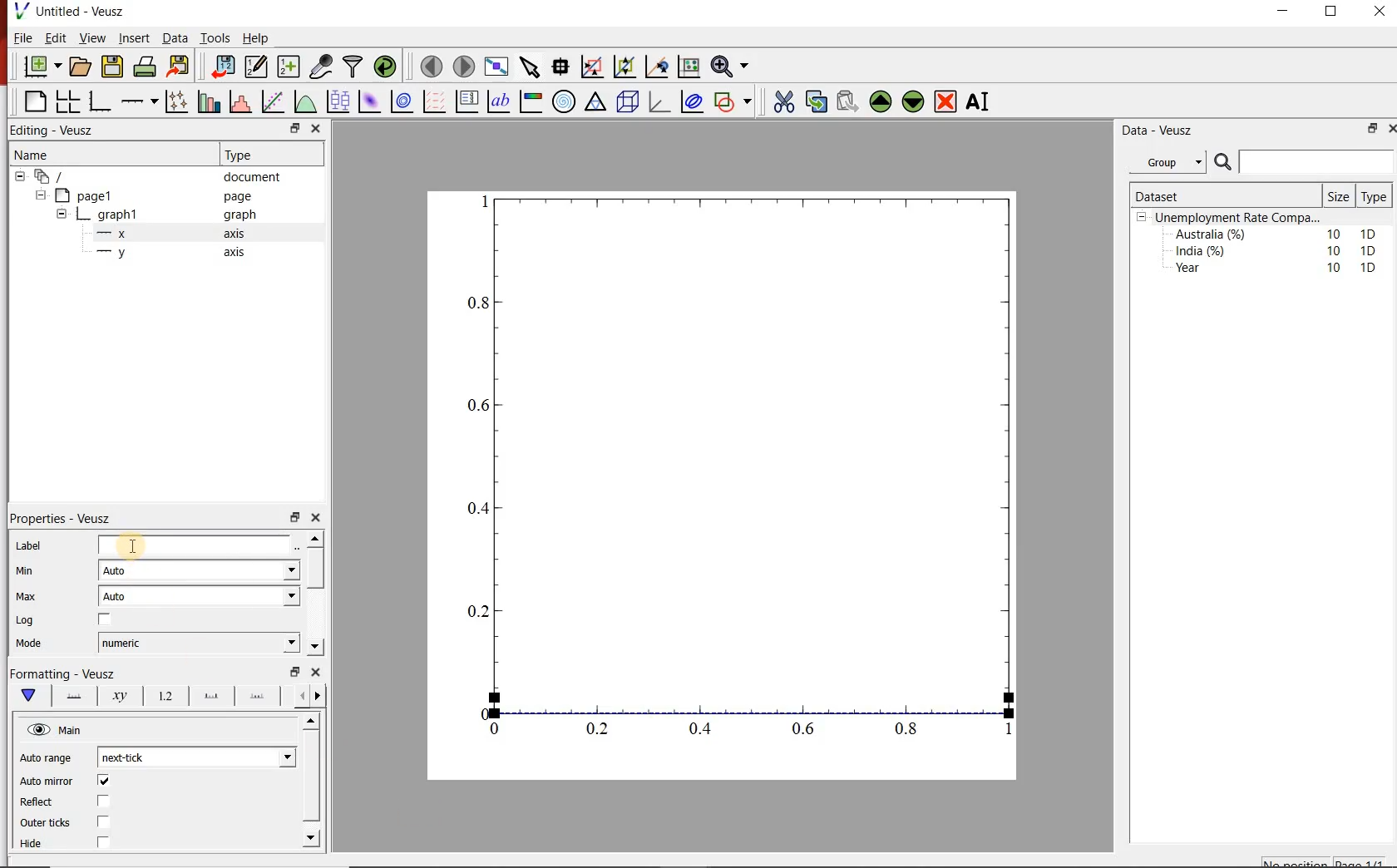 The image size is (1397, 868). I want to click on View, so click(91, 38).